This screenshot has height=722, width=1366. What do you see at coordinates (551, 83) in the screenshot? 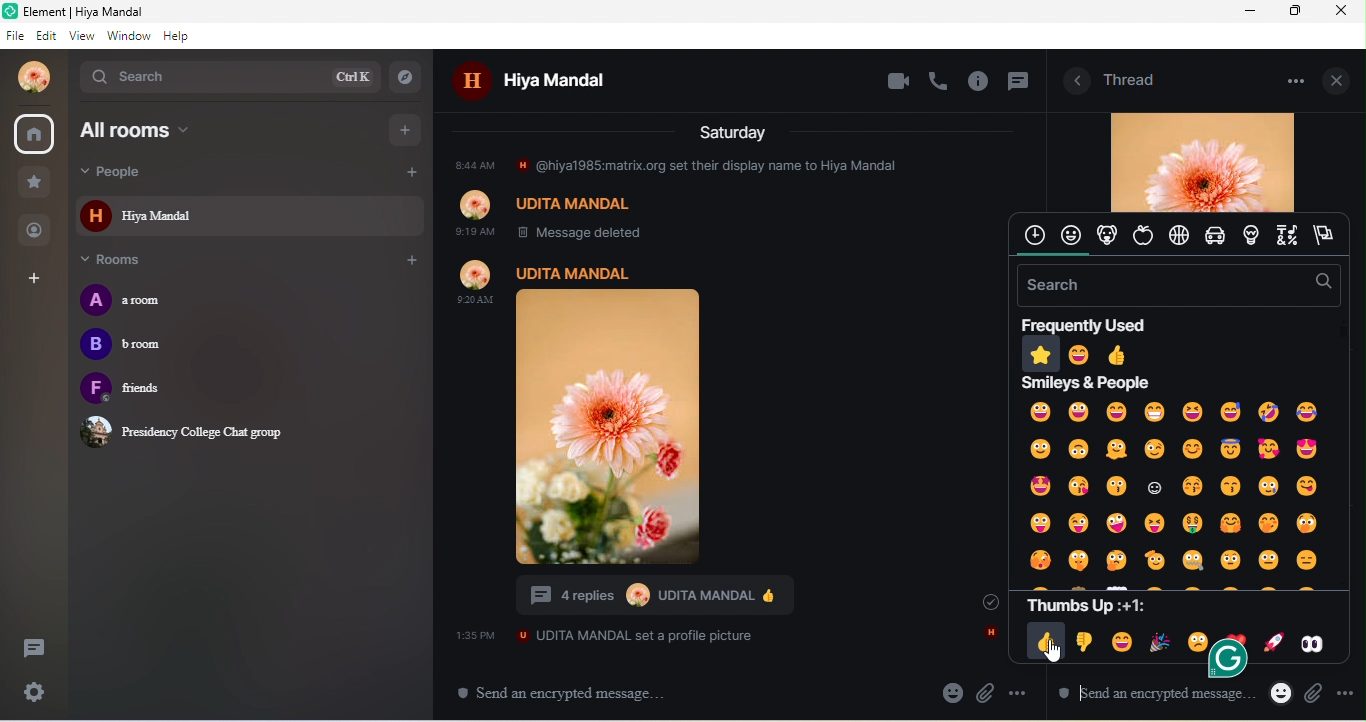
I see `hiya mandal` at bounding box center [551, 83].